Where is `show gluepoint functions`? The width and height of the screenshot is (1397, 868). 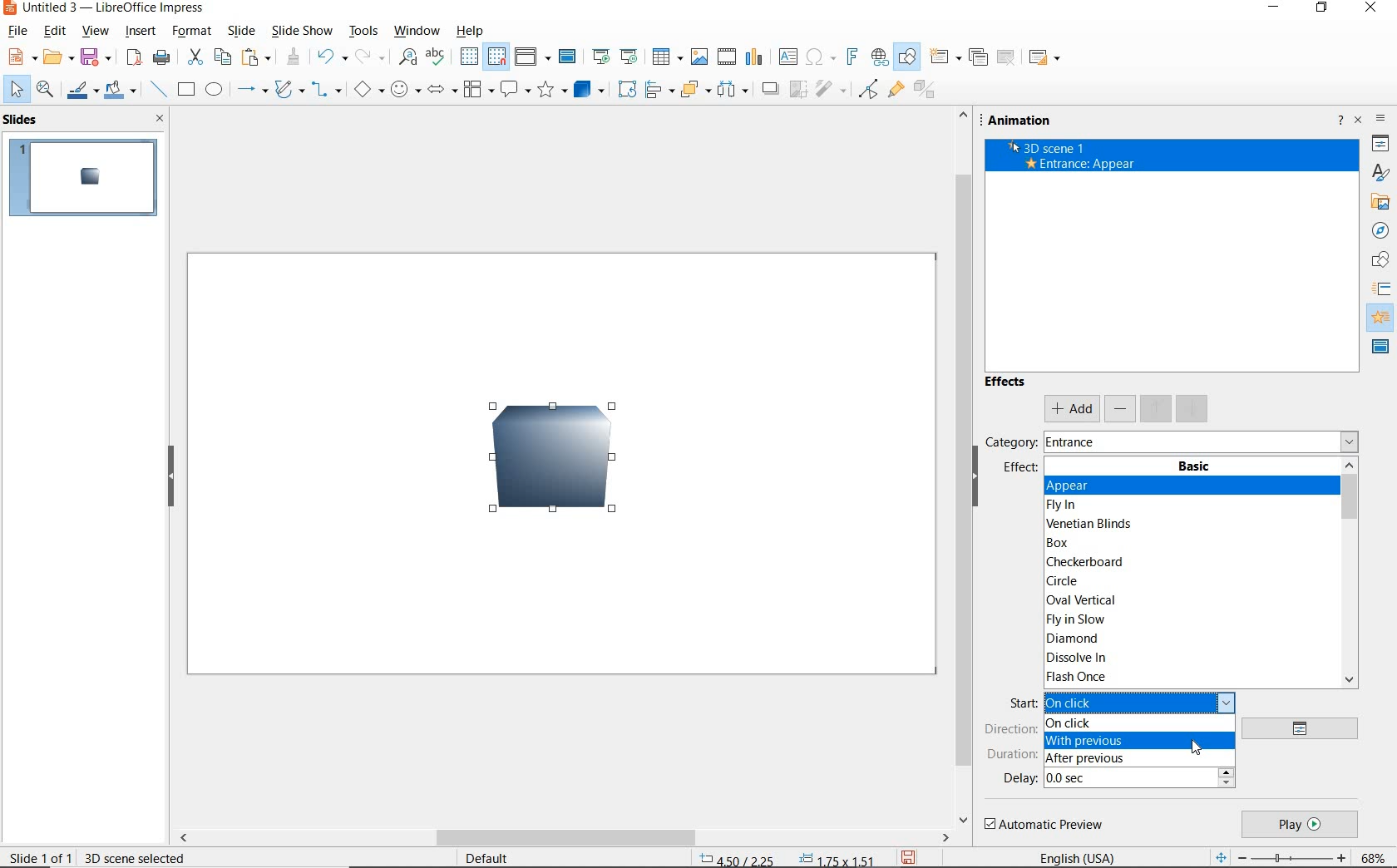
show gluepoint functions is located at coordinates (896, 91).